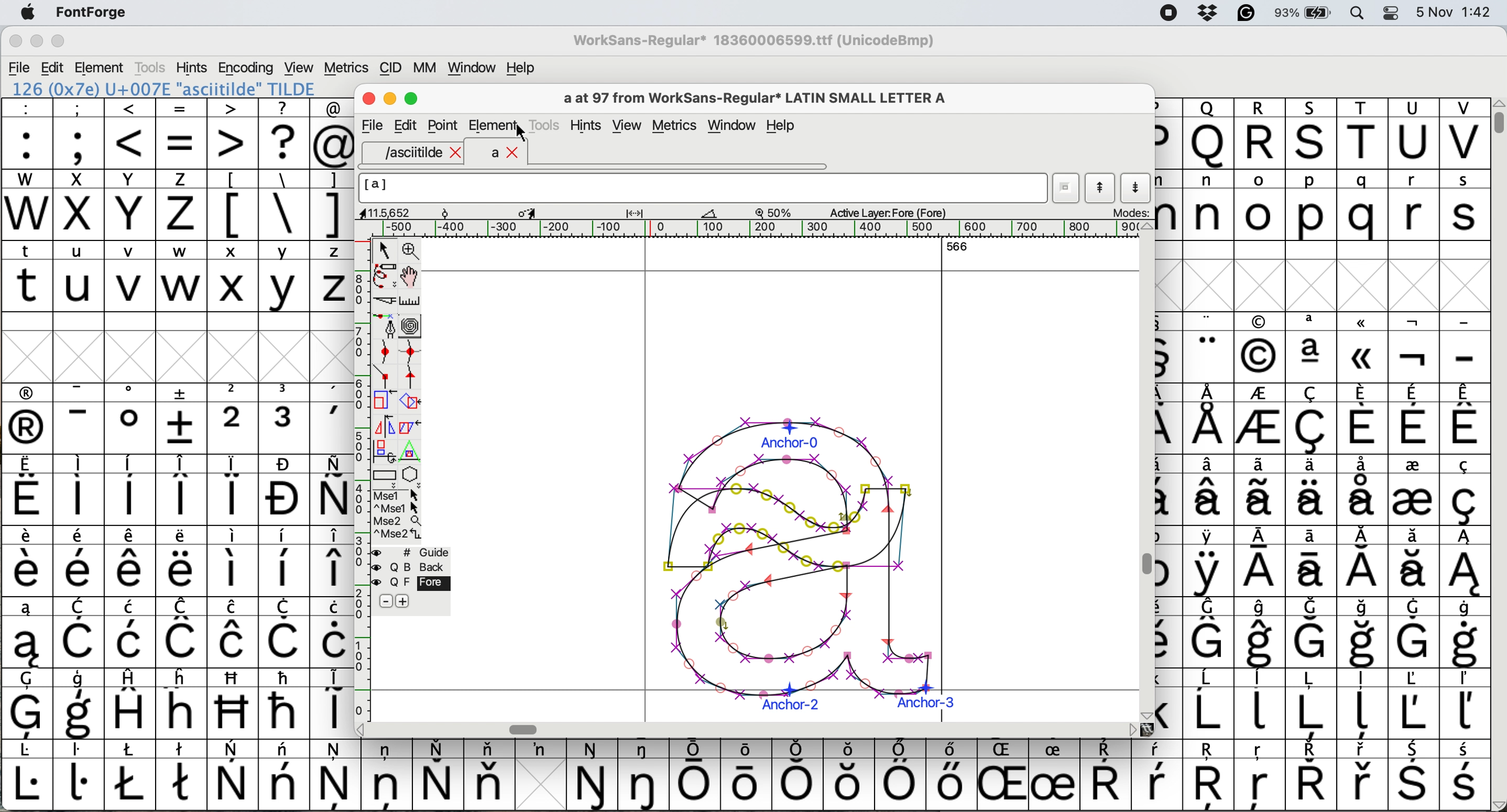 The height and width of the screenshot is (812, 1507). What do you see at coordinates (1465, 349) in the screenshot?
I see `-` at bounding box center [1465, 349].